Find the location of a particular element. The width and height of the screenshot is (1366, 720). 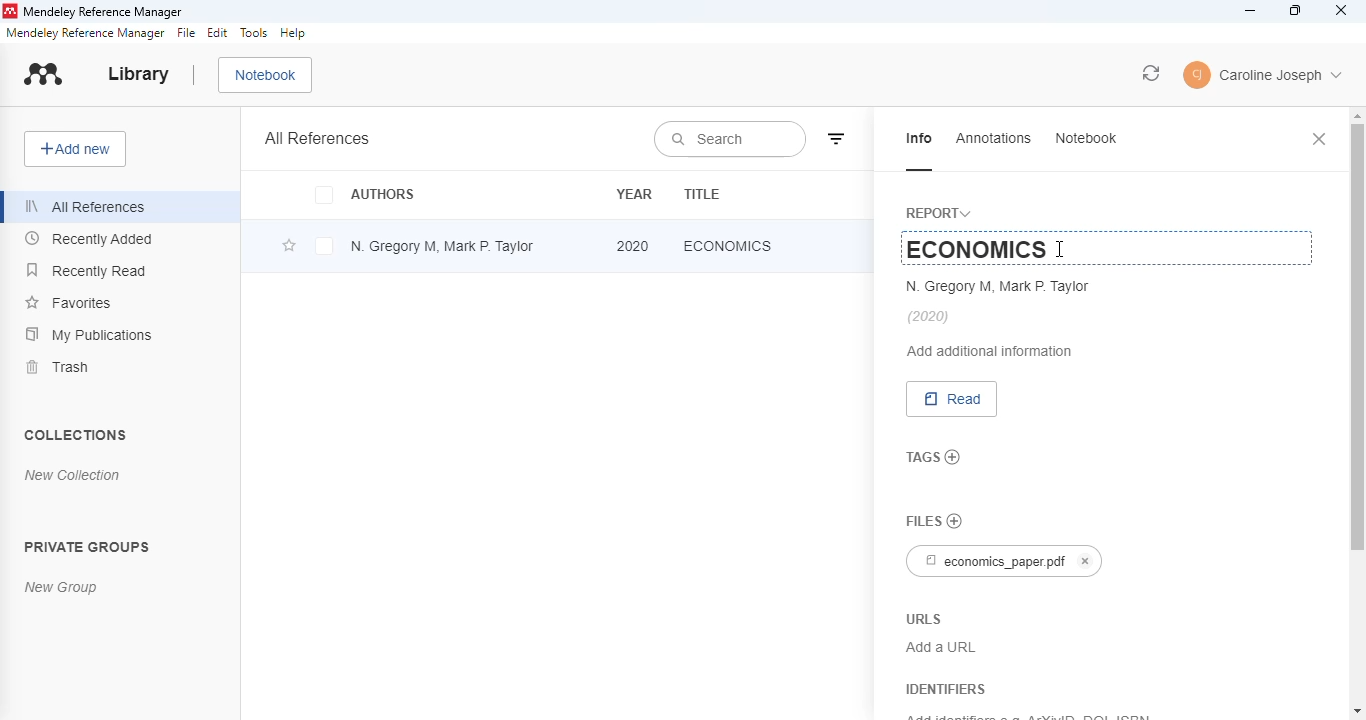

trash is located at coordinates (57, 367).